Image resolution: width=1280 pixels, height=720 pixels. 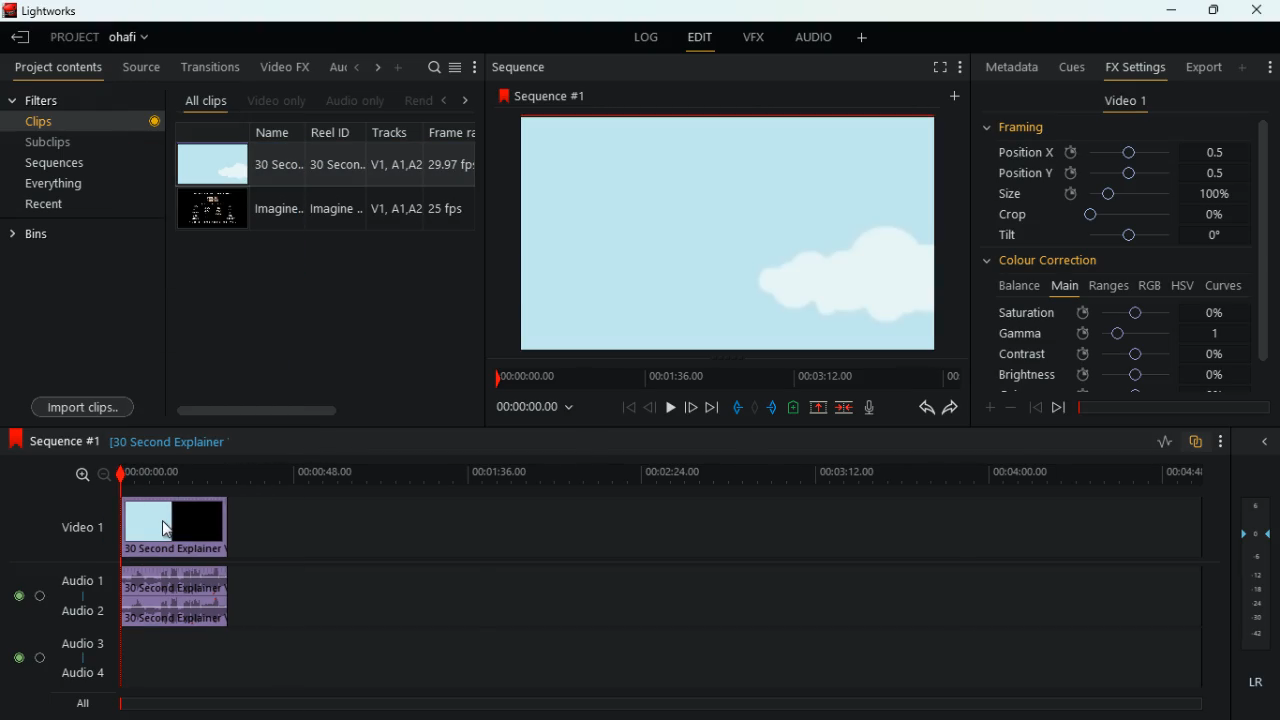 I want to click on reel id, so click(x=329, y=175).